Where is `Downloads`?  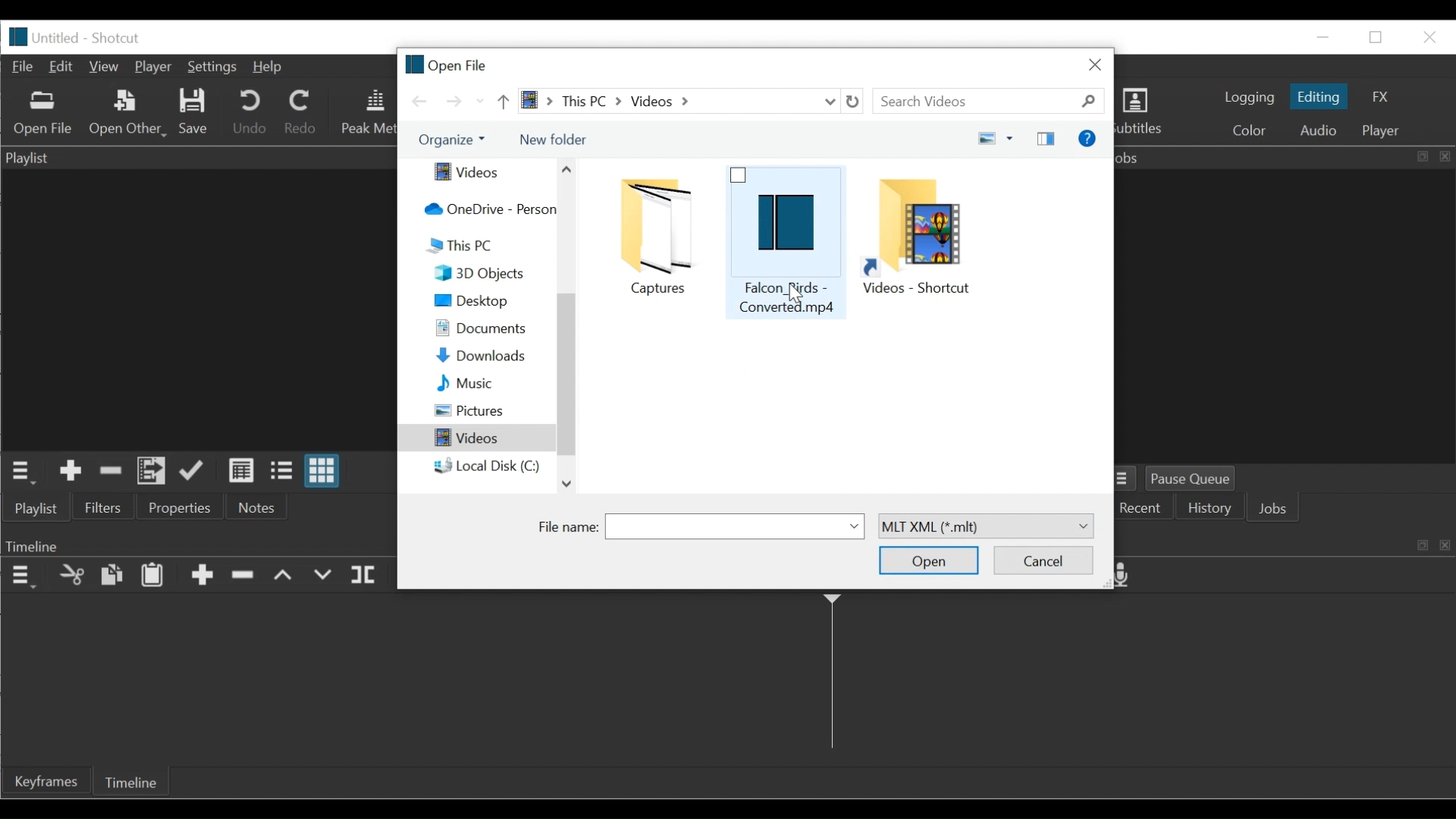 Downloads is located at coordinates (491, 356).